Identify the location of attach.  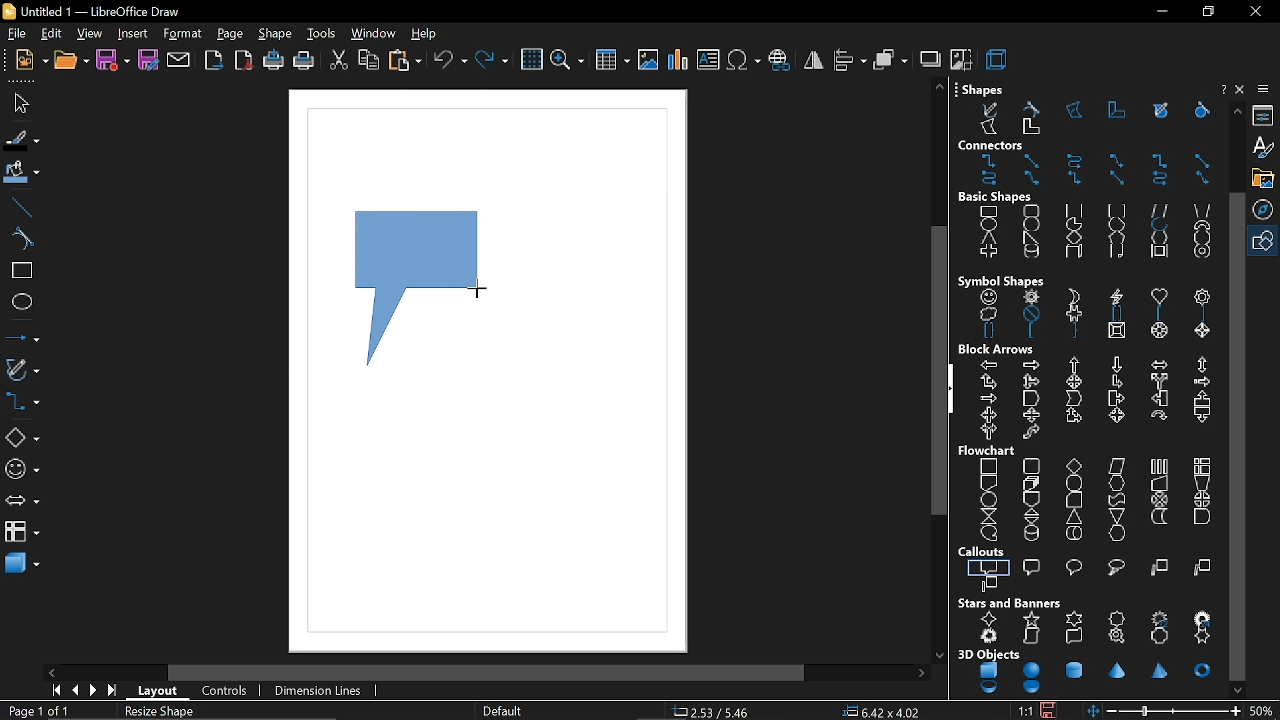
(179, 62).